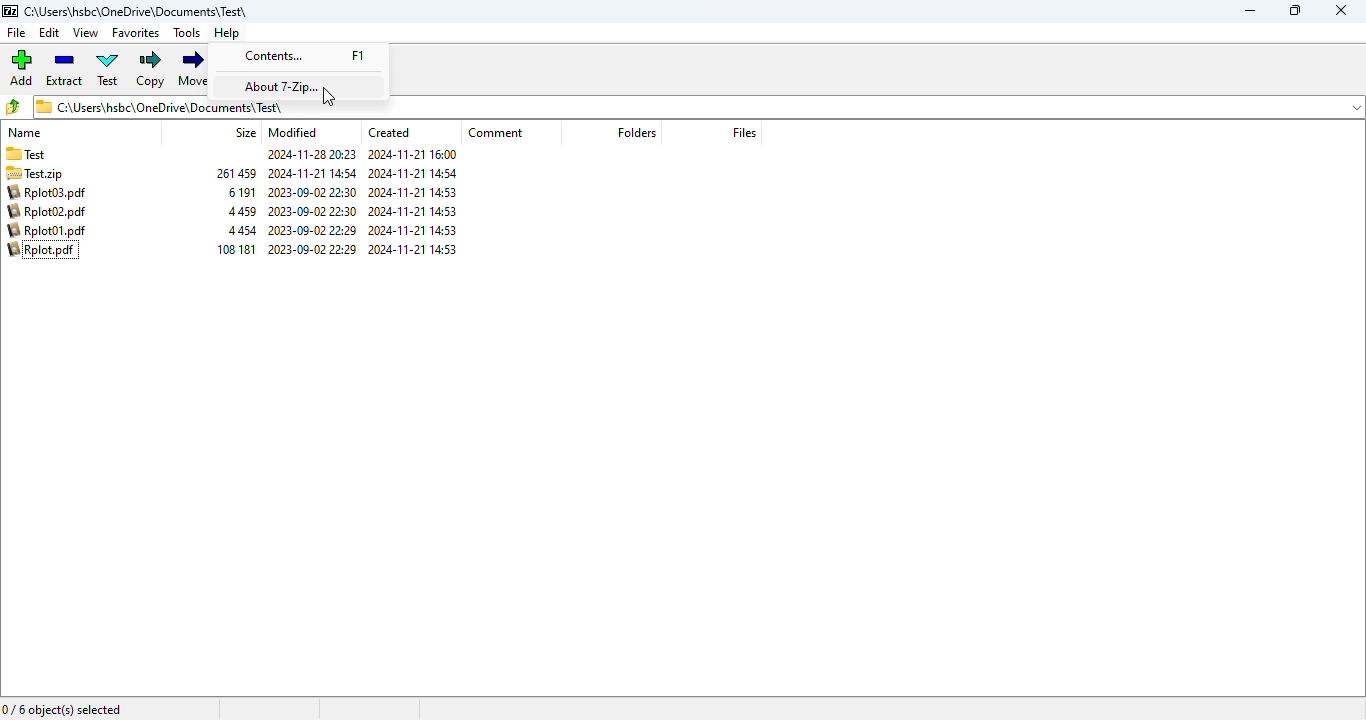  I want to click on drop down, so click(1357, 107).